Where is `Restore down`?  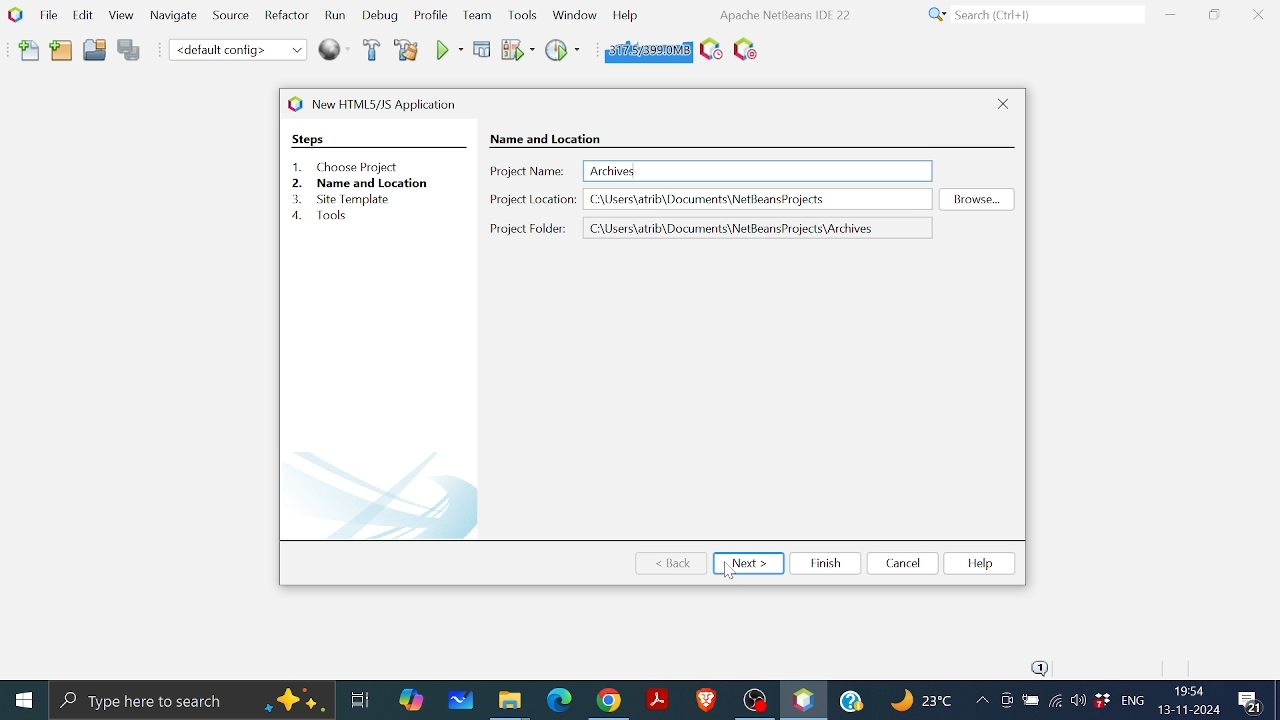
Restore down is located at coordinates (1214, 14).